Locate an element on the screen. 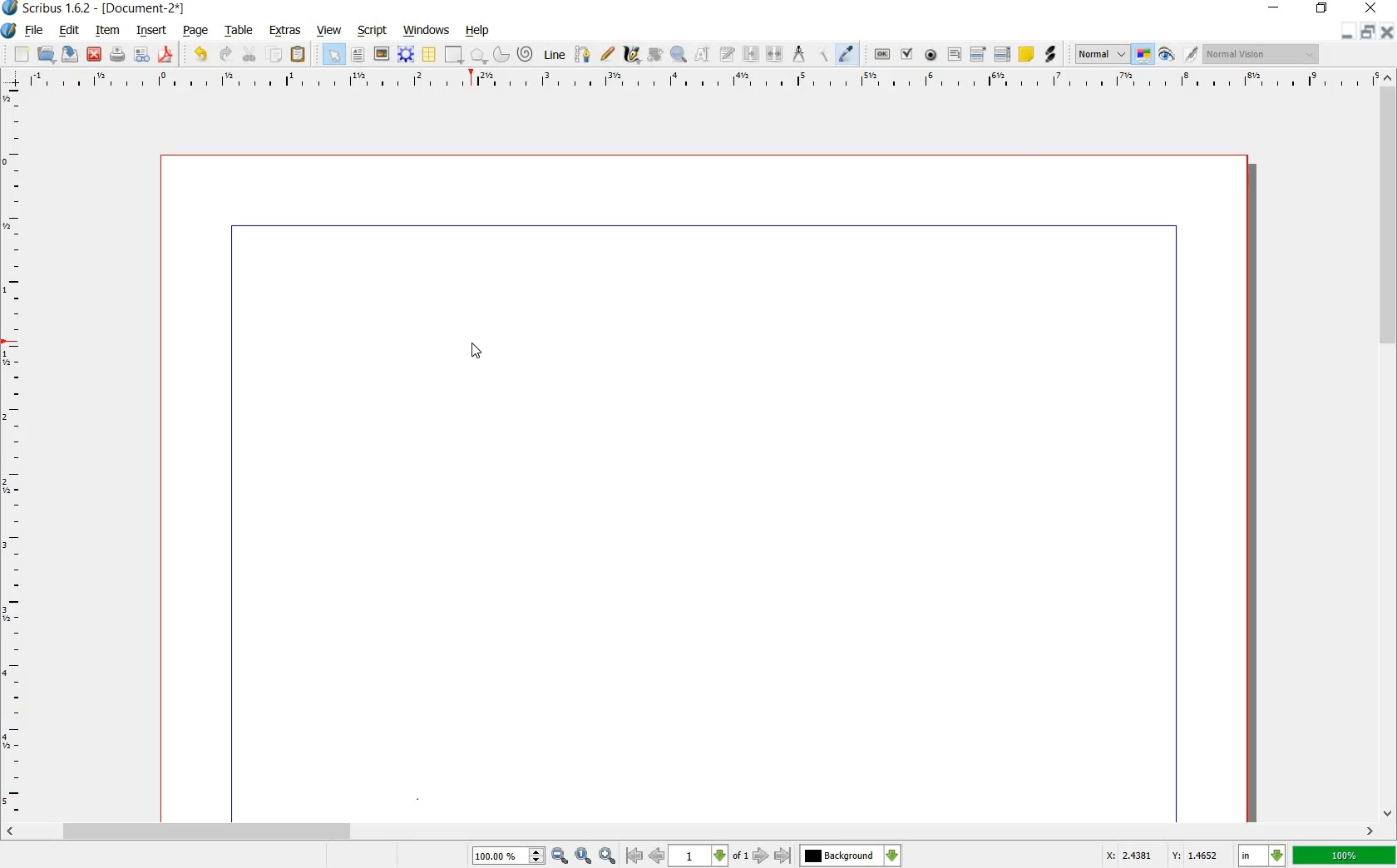  ZOOM IN OR OUT is located at coordinates (680, 52).